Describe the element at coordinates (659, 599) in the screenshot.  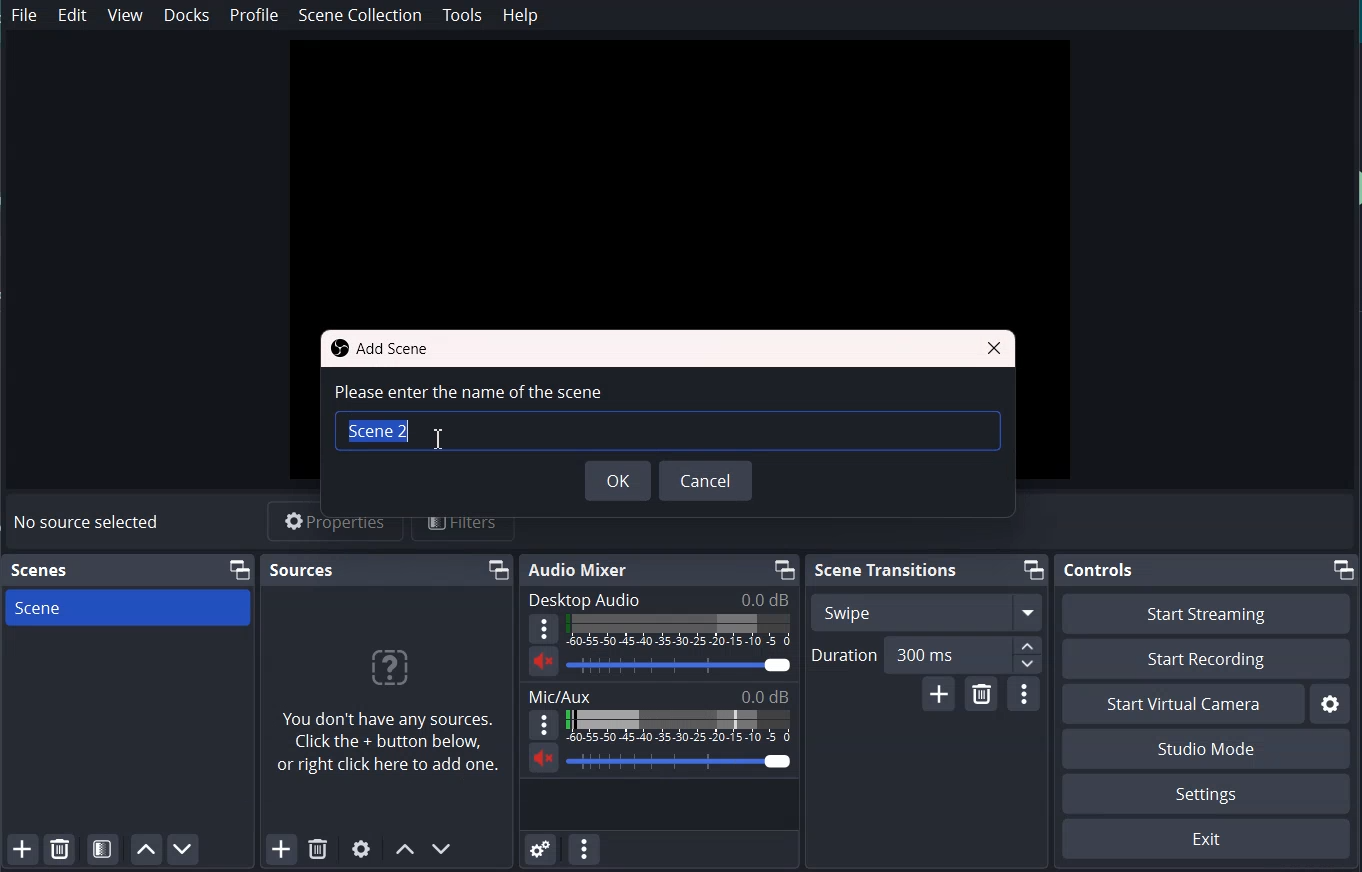
I see `Text` at that location.